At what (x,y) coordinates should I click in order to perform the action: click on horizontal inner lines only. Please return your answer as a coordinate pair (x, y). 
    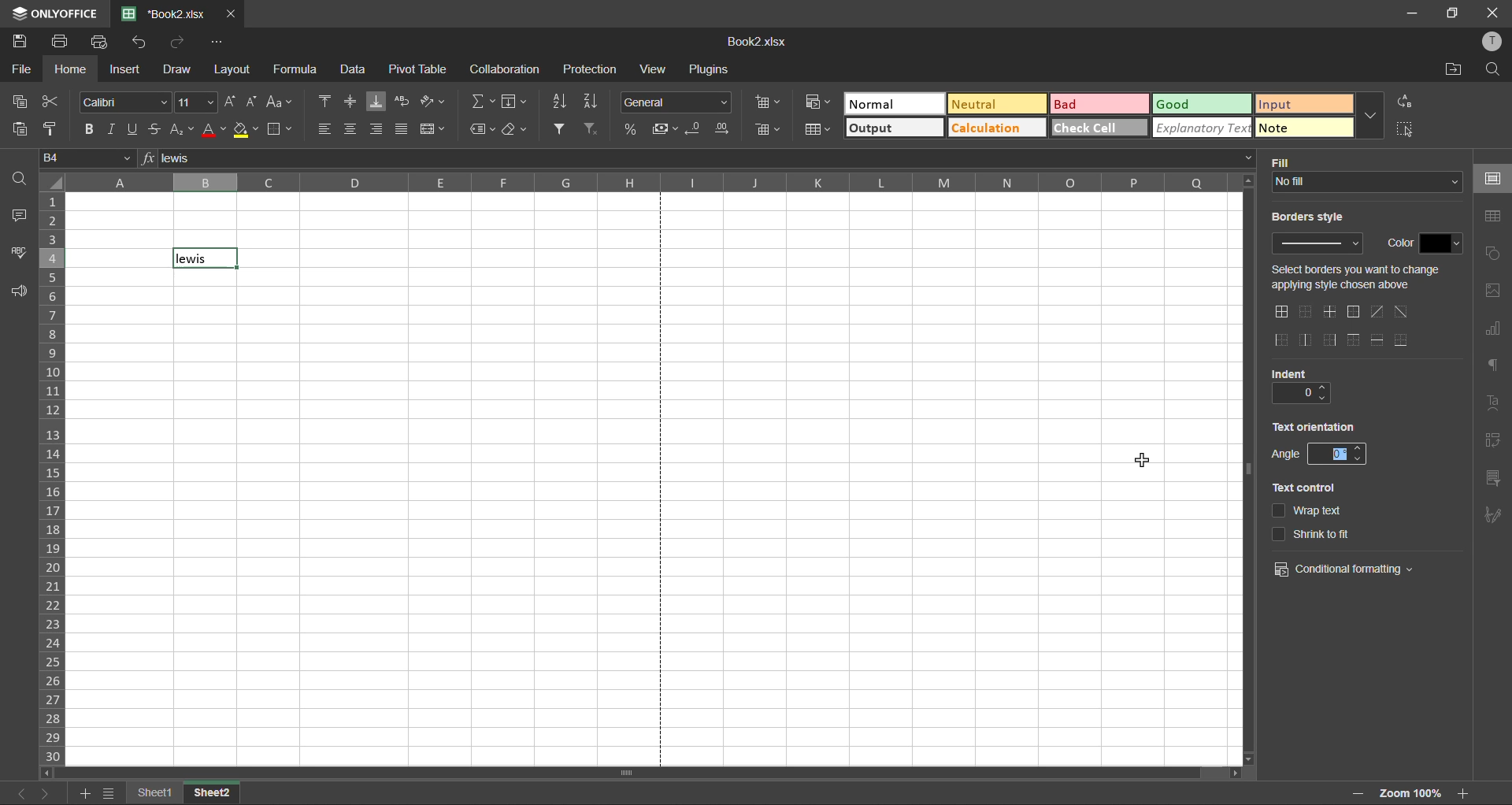
    Looking at the image, I should click on (1380, 339).